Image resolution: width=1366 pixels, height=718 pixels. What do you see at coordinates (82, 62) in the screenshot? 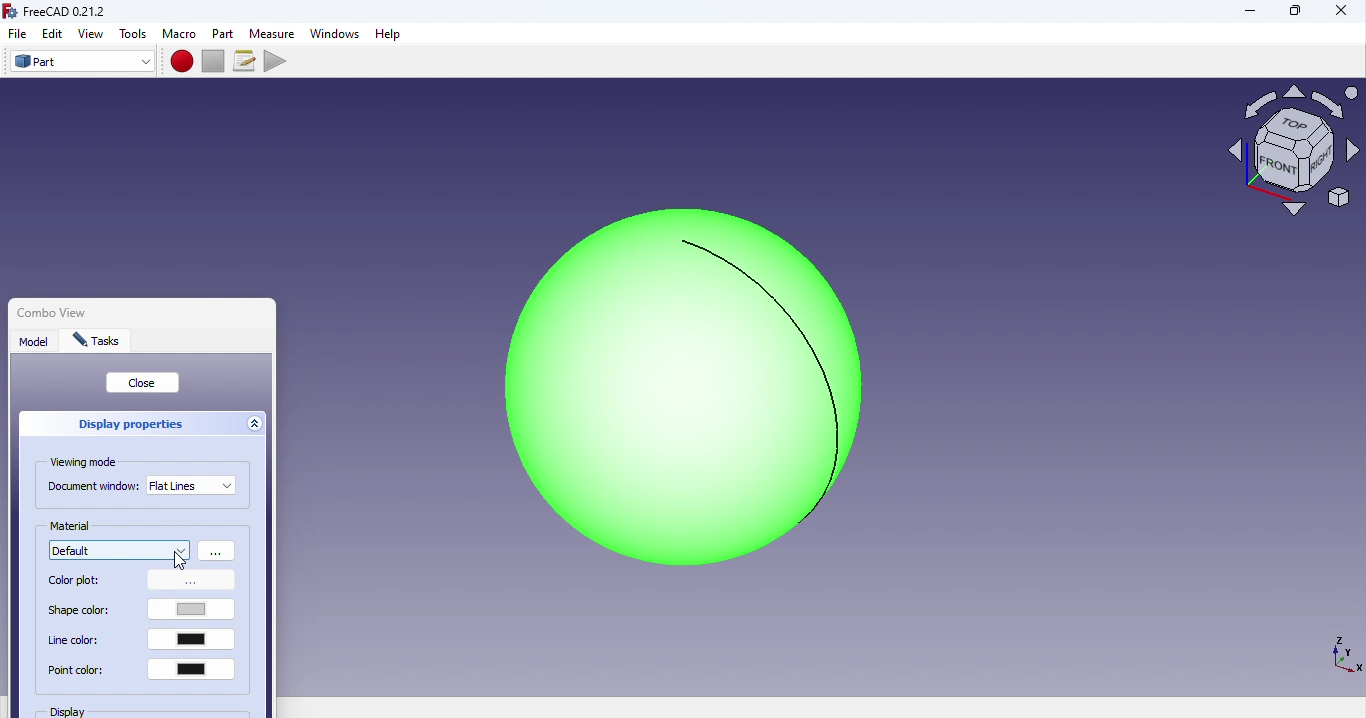
I see `Part` at bounding box center [82, 62].